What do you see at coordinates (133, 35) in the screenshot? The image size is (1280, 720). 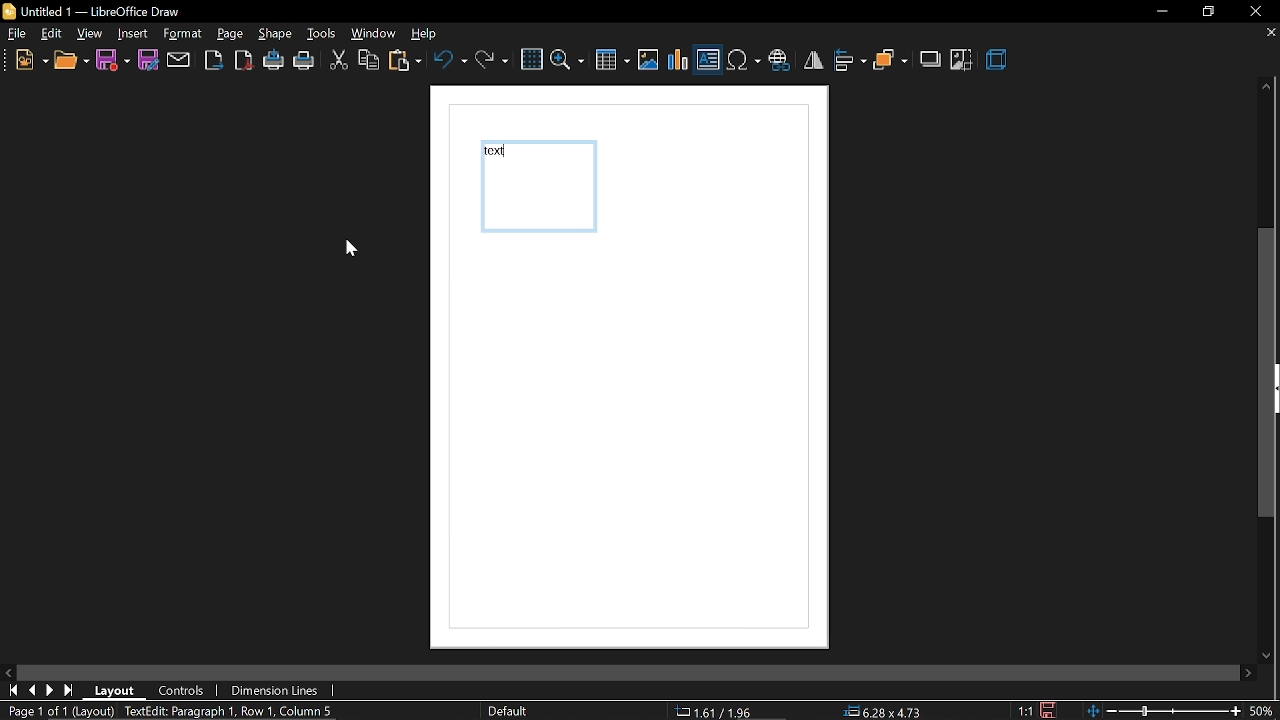 I see `insert` at bounding box center [133, 35].